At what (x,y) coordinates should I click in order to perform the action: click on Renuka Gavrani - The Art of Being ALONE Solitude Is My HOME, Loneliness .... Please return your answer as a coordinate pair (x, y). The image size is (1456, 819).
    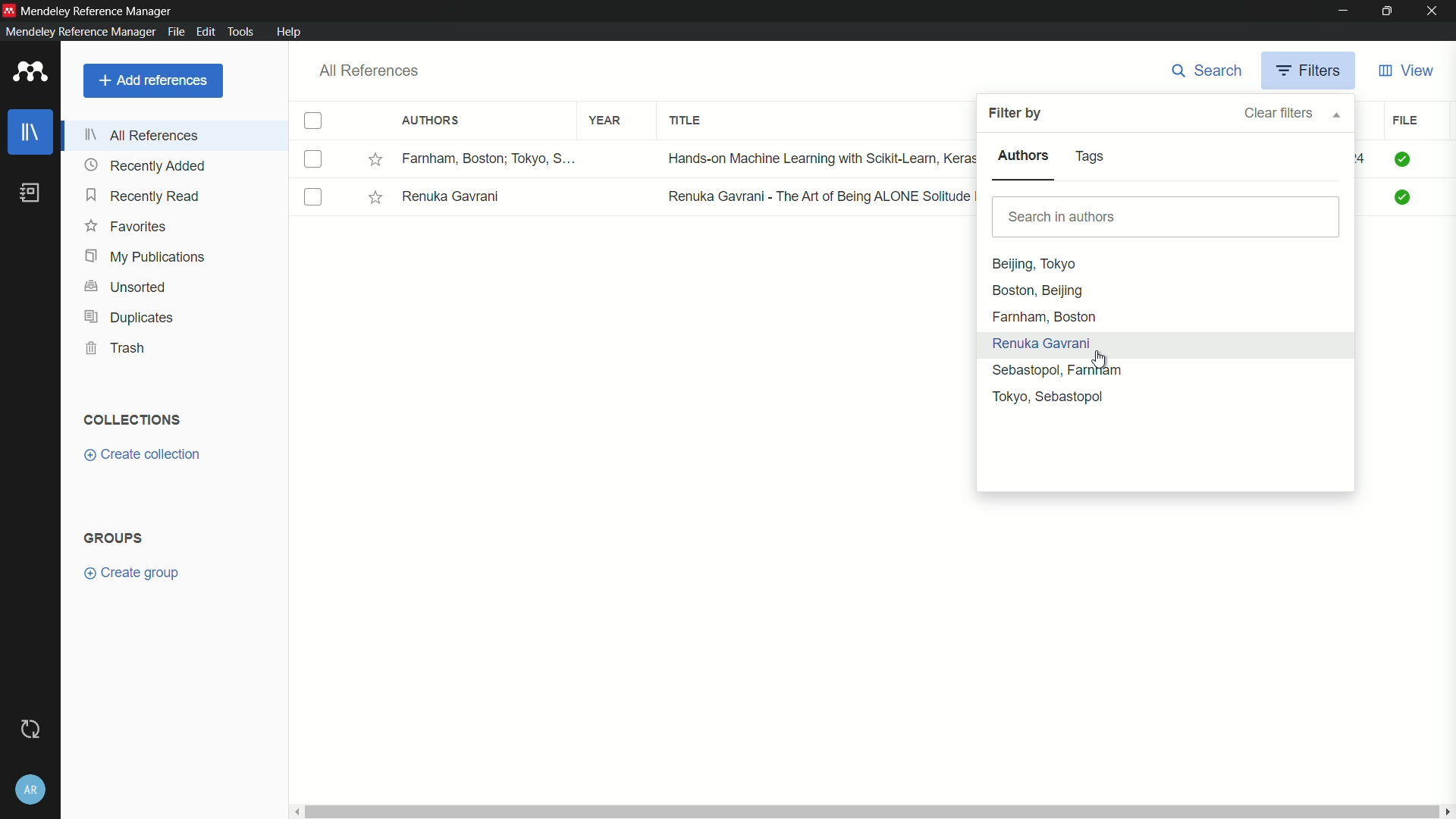
    Looking at the image, I should click on (817, 198).